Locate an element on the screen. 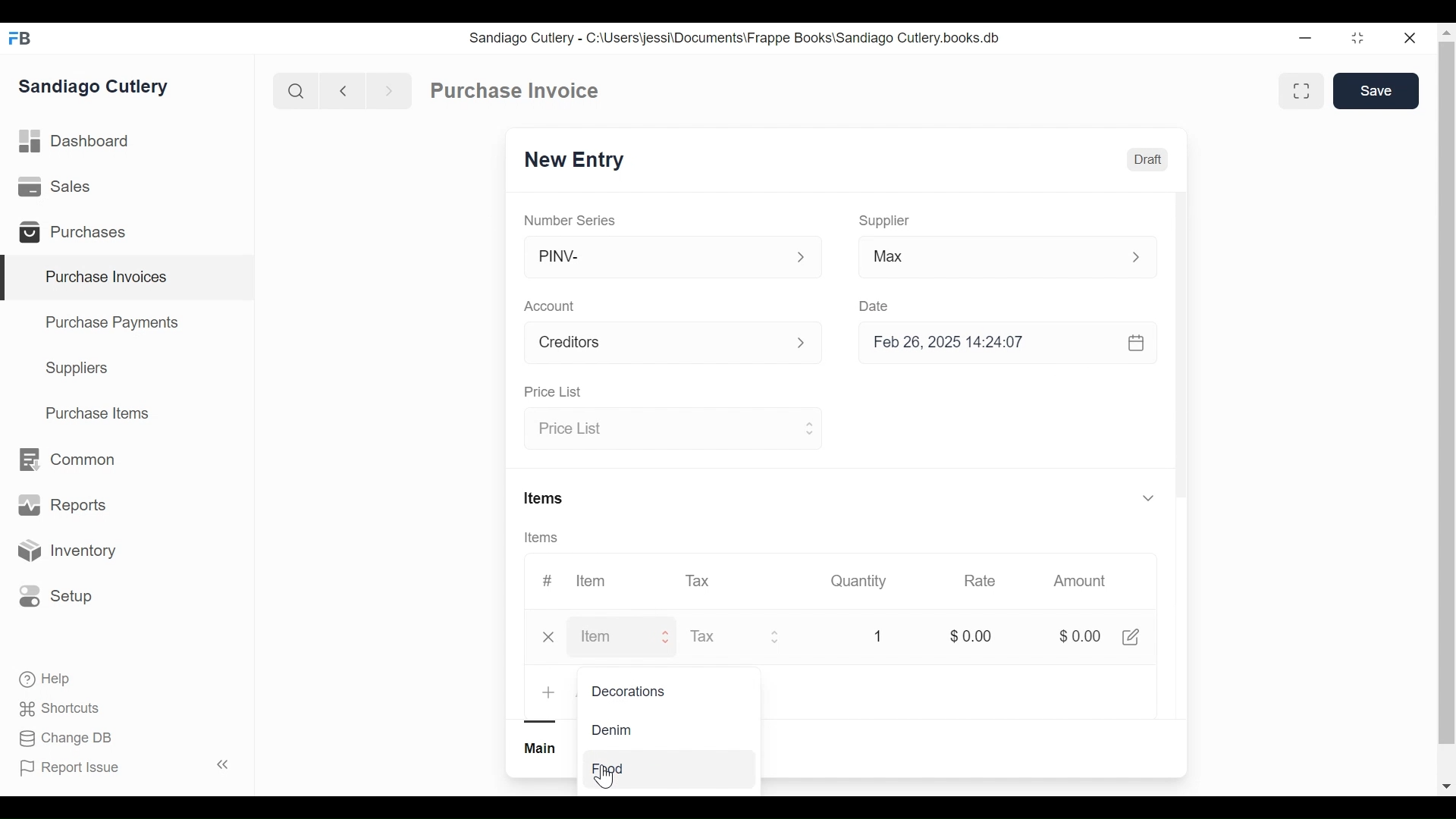  Rate is located at coordinates (984, 581).